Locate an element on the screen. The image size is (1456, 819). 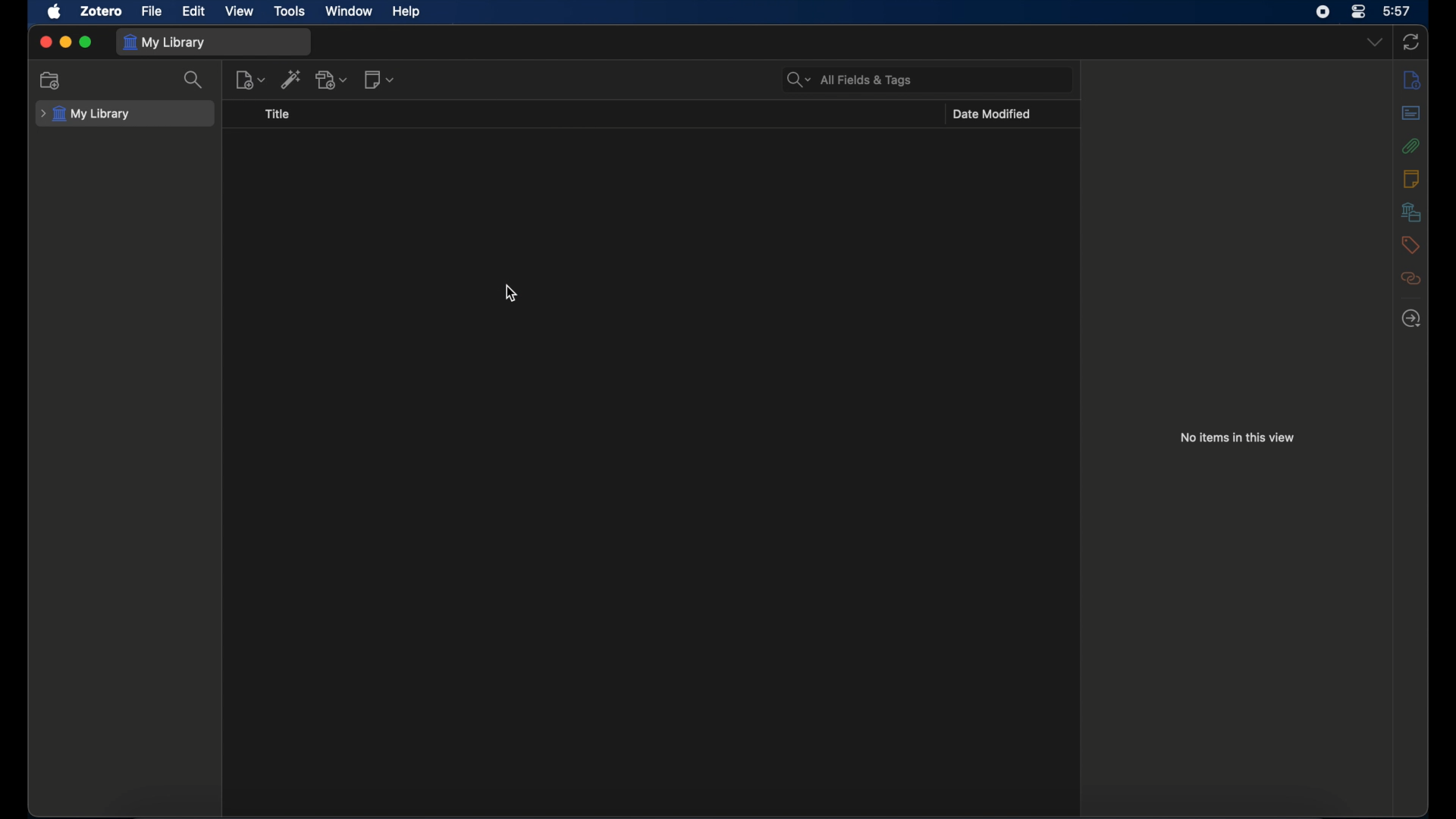
date modified is located at coordinates (992, 114).